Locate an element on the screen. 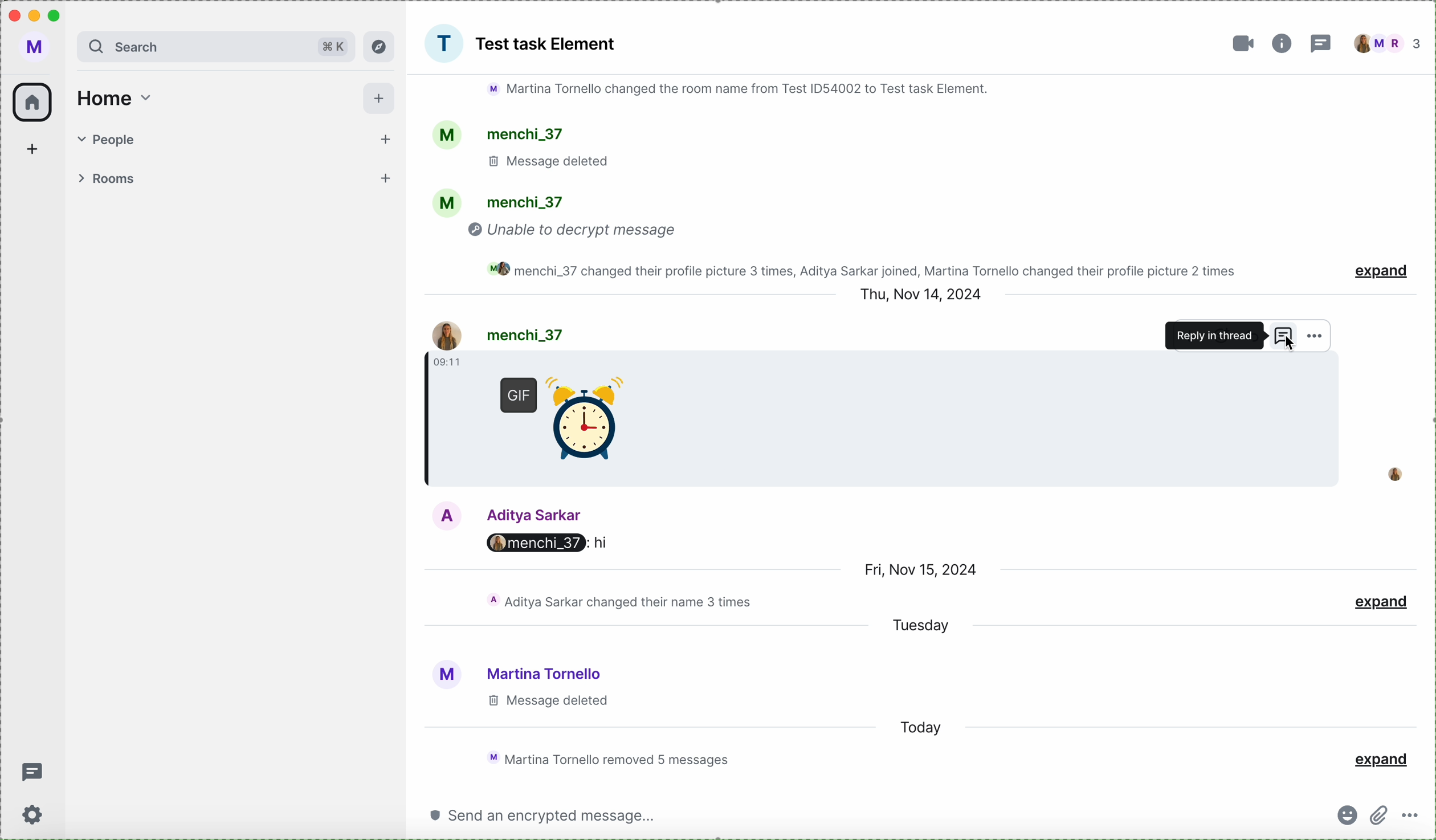  explore is located at coordinates (380, 46).